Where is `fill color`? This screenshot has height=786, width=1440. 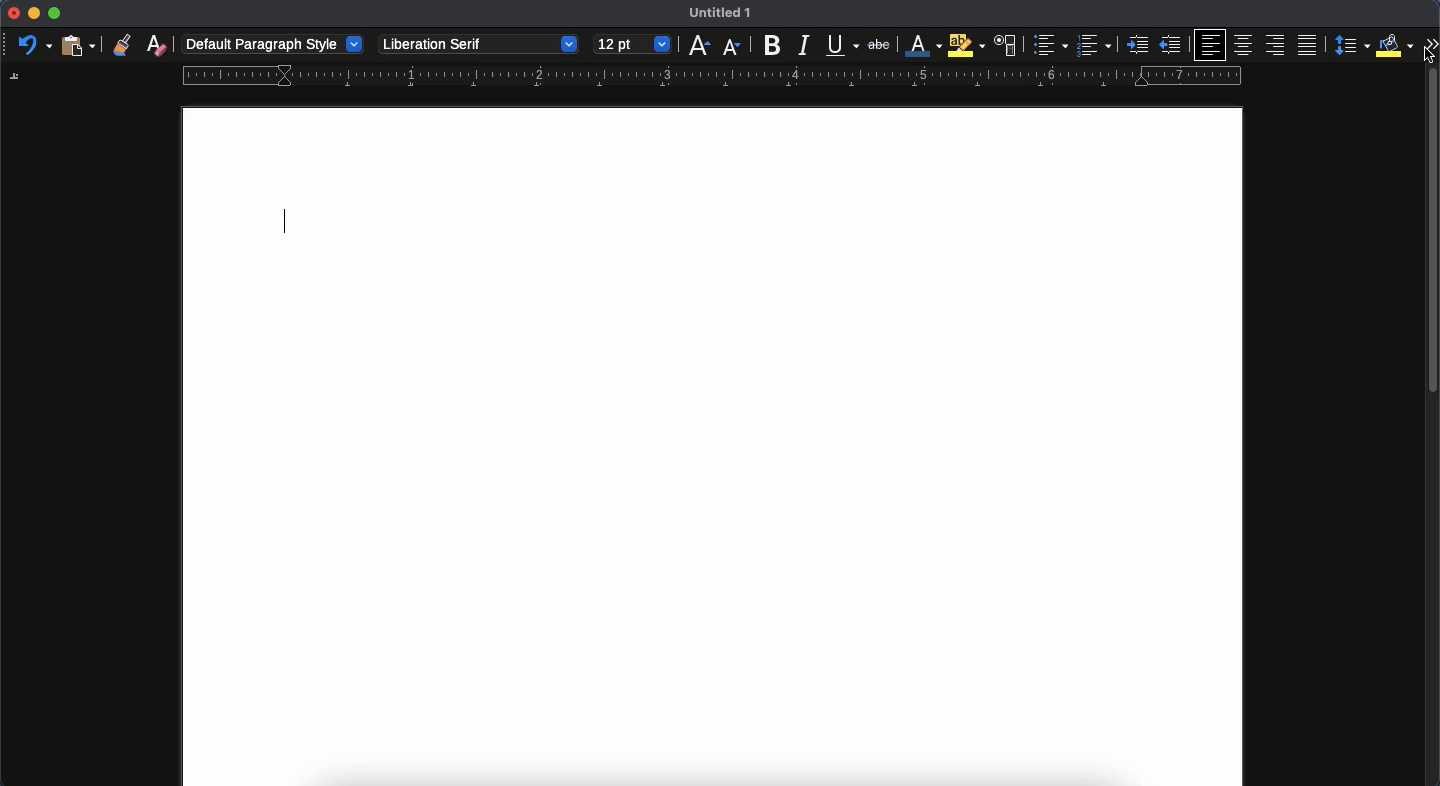 fill color is located at coordinates (1390, 46).